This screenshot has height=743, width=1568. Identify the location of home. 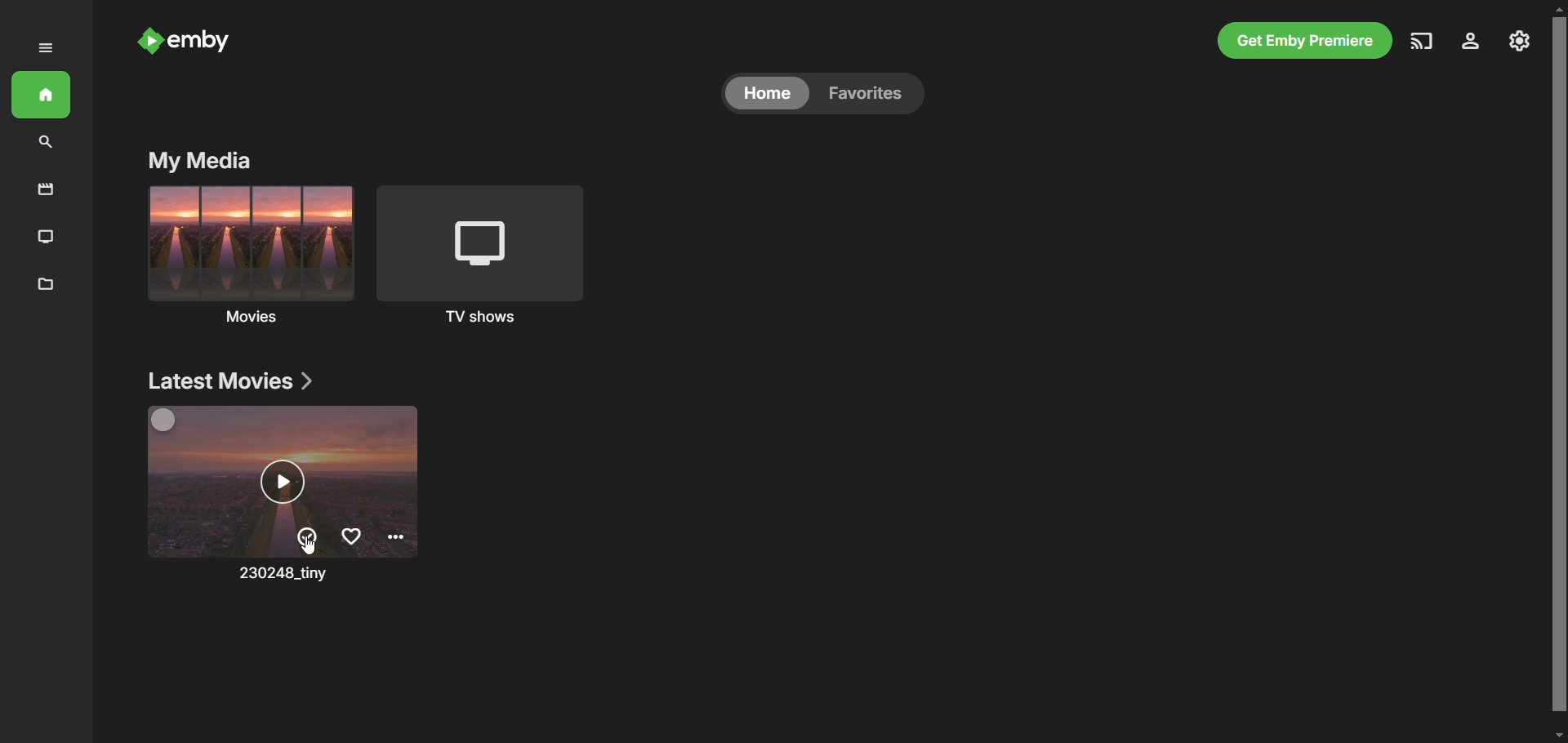
(768, 94).